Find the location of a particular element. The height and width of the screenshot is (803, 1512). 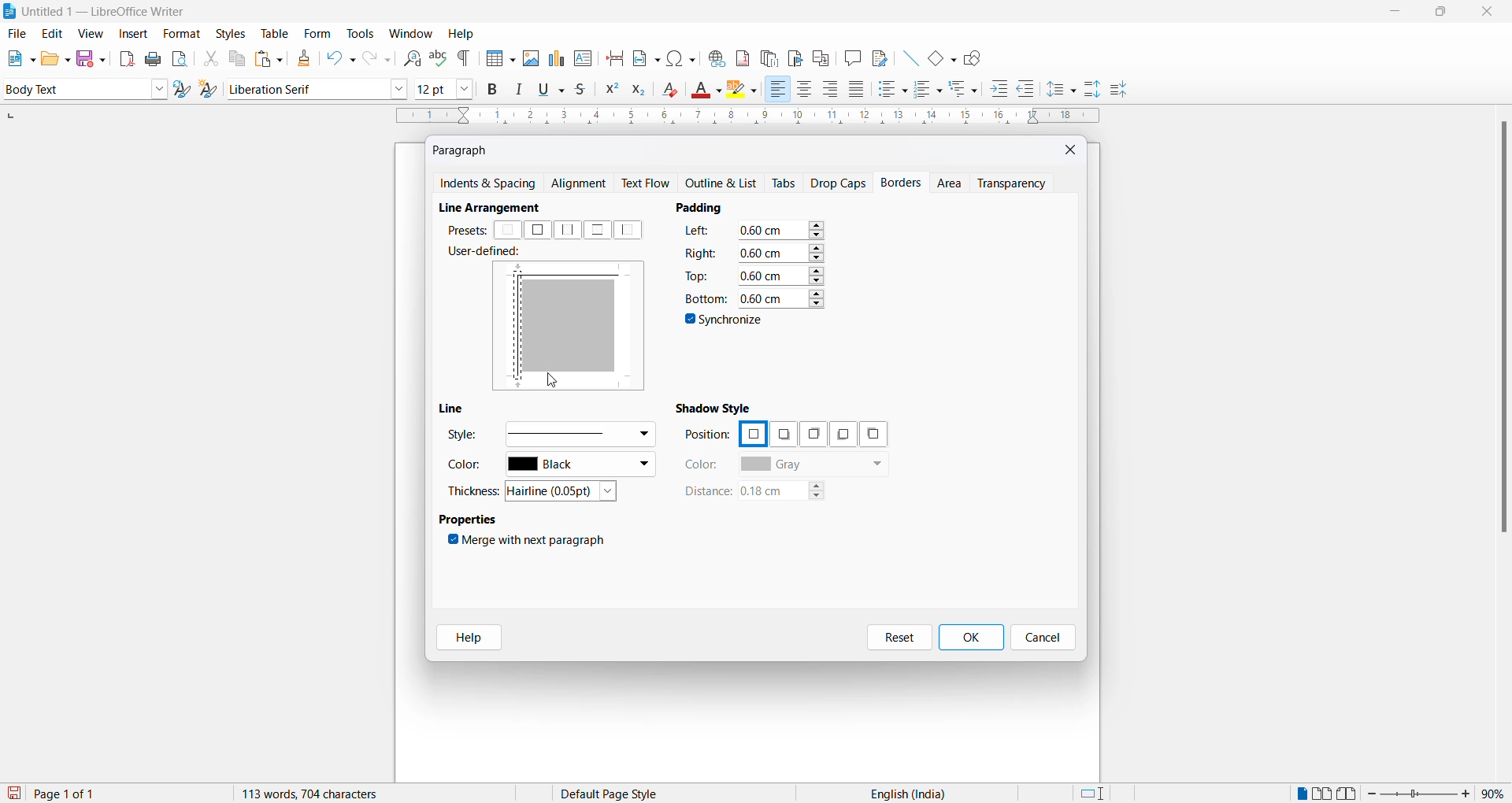

update selected style is located at coordinates (185, 90).